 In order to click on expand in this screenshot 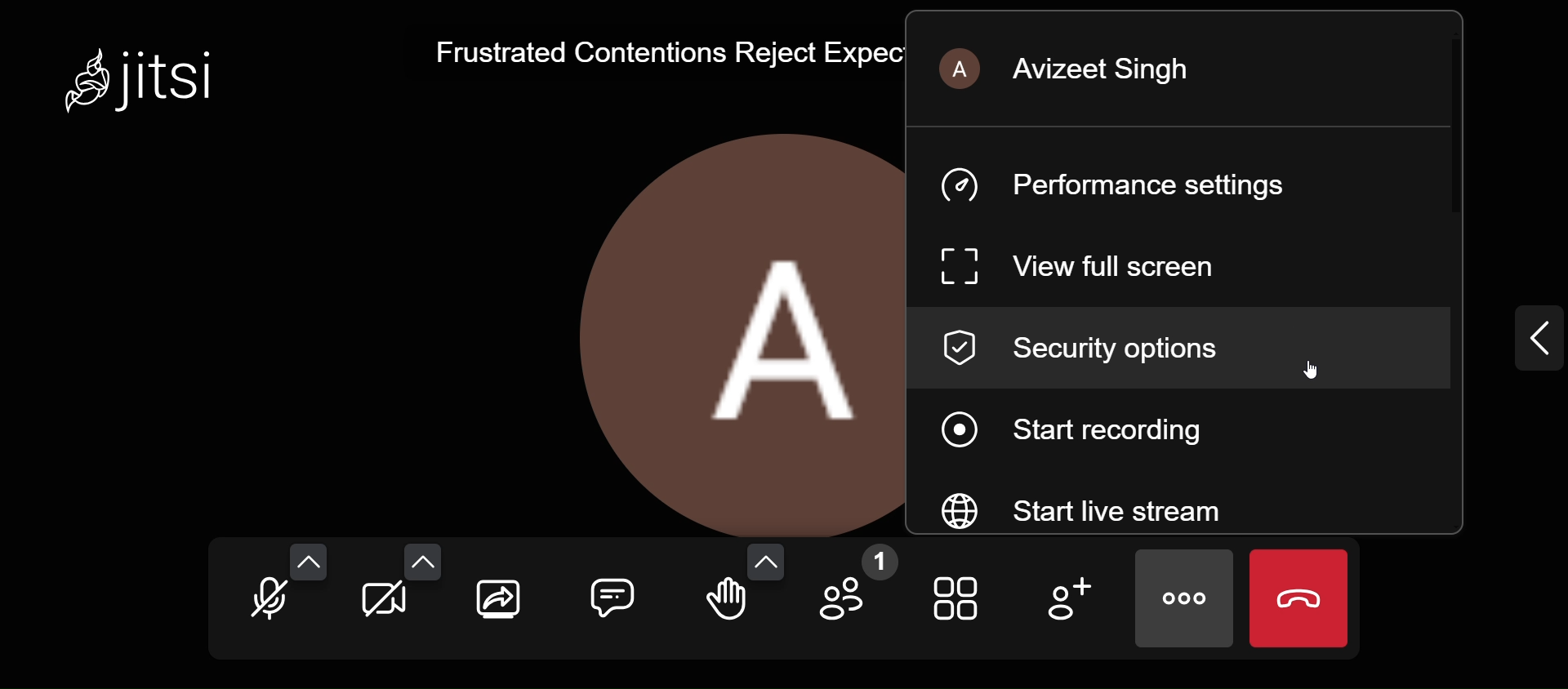, I will do `click(1513, 341)`.